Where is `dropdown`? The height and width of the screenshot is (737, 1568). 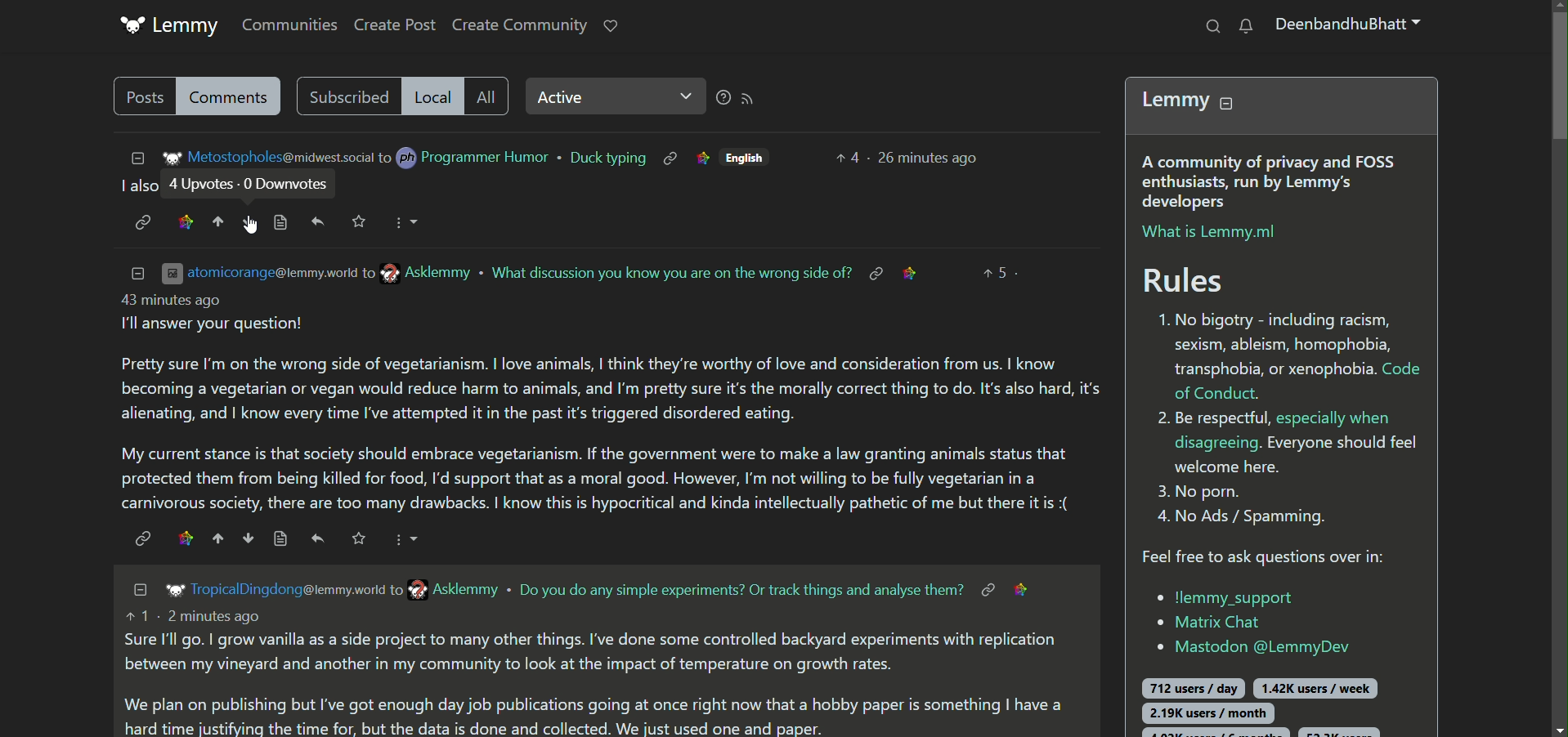 dropdown is located at coordinates (405, 539).